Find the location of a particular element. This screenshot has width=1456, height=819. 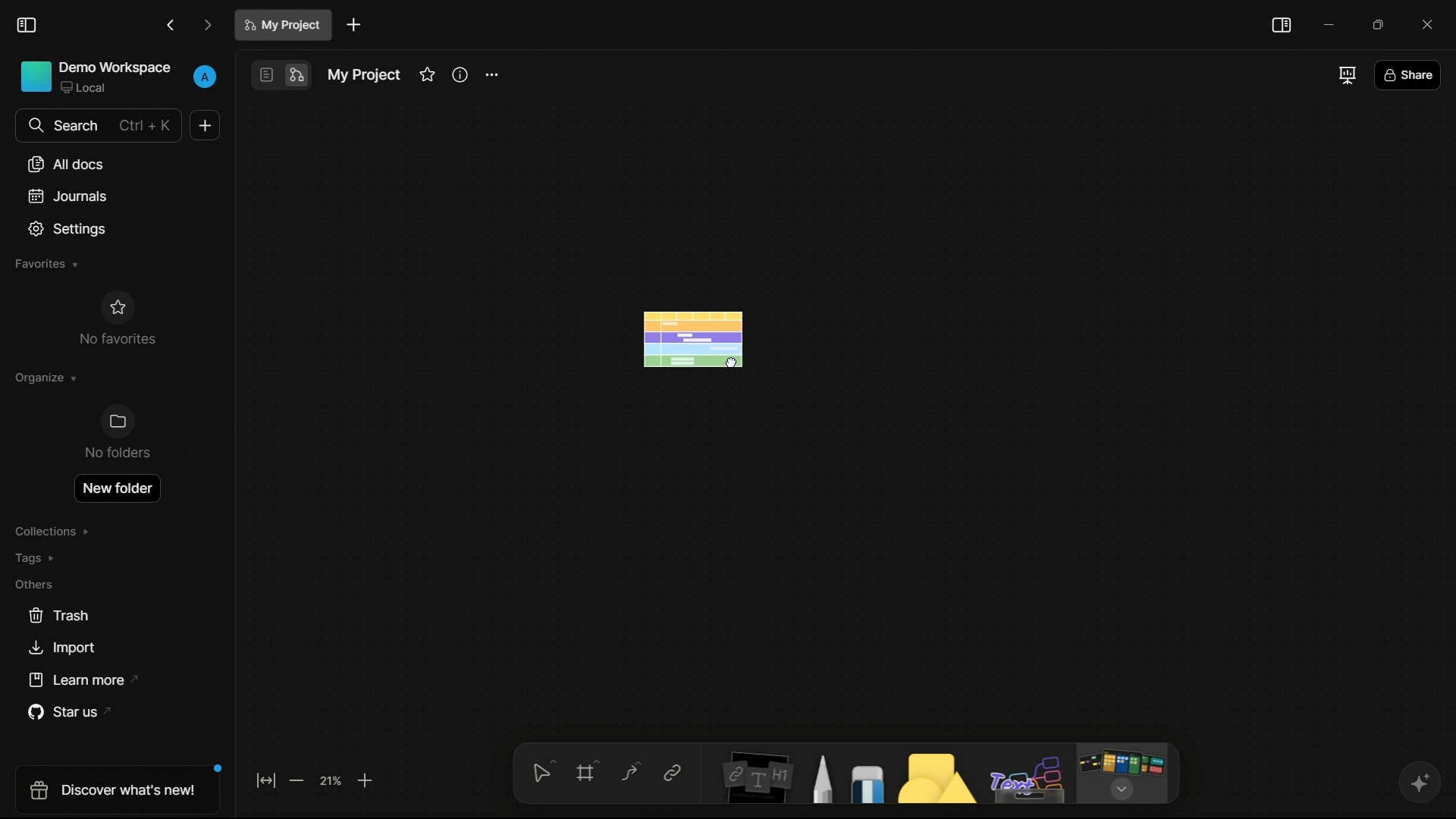

notes is located at coordinates (753, 780).